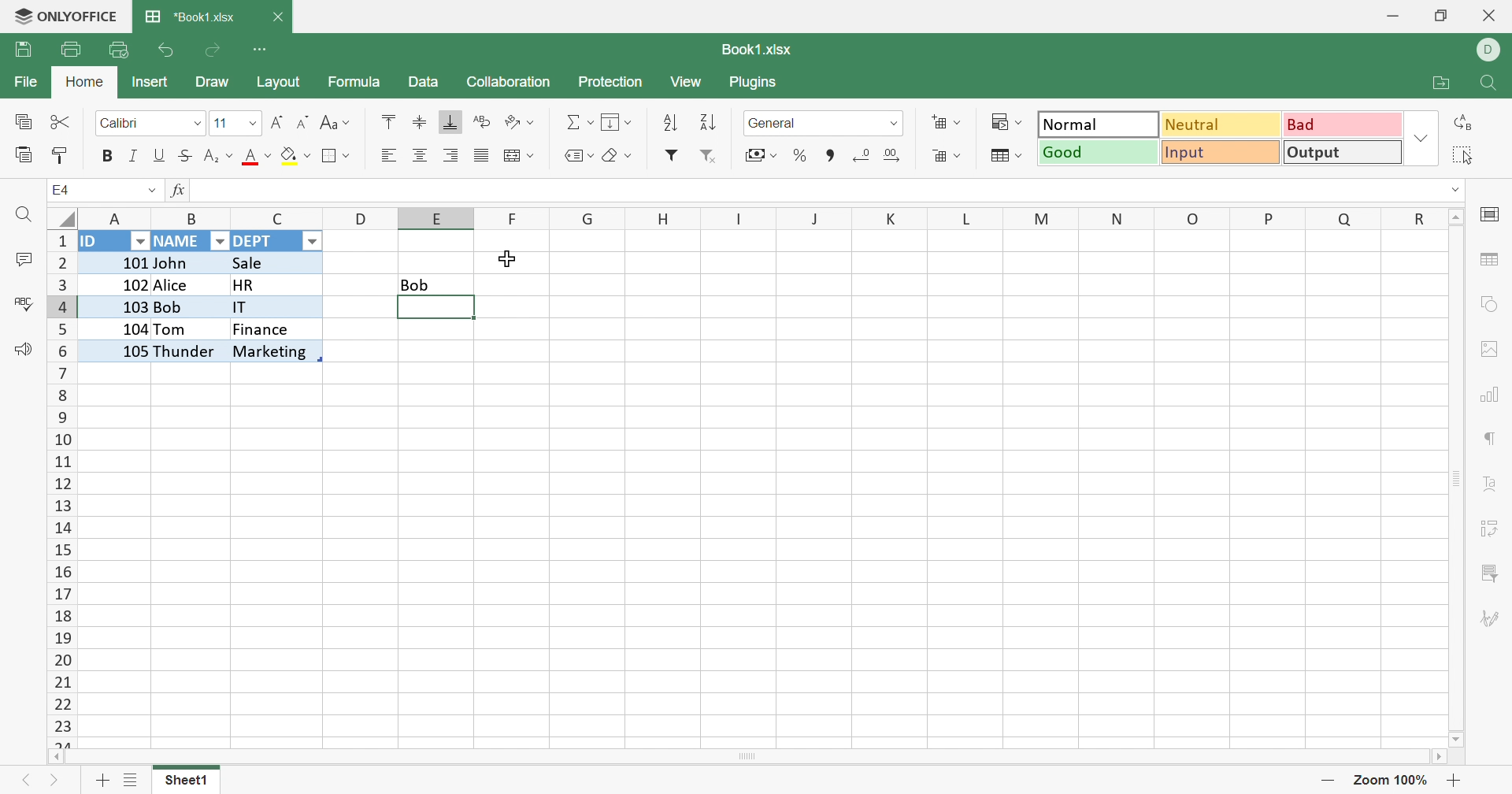  Describe the element at coordinates (516, 154) in the screenshot. I see `Merge and center` at that location.